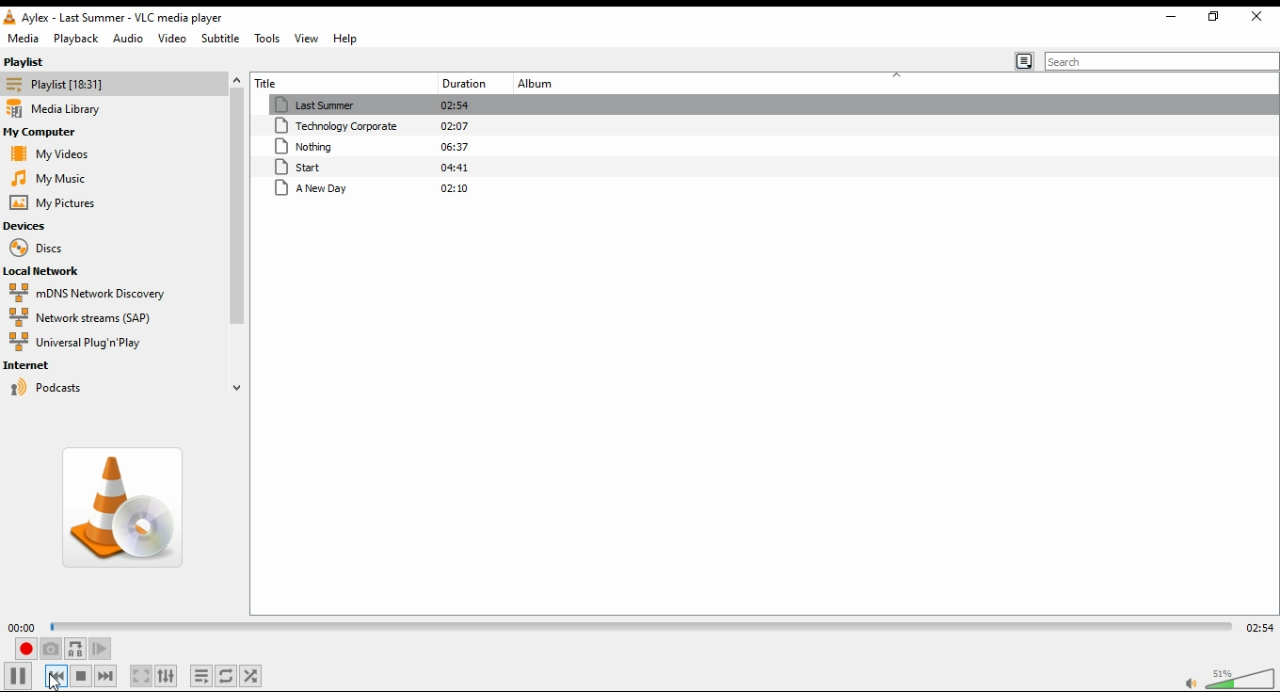  What do you see at coordinates (459, 83) in the screenshot?
I see `track duration` at bounding box center [459, 83].